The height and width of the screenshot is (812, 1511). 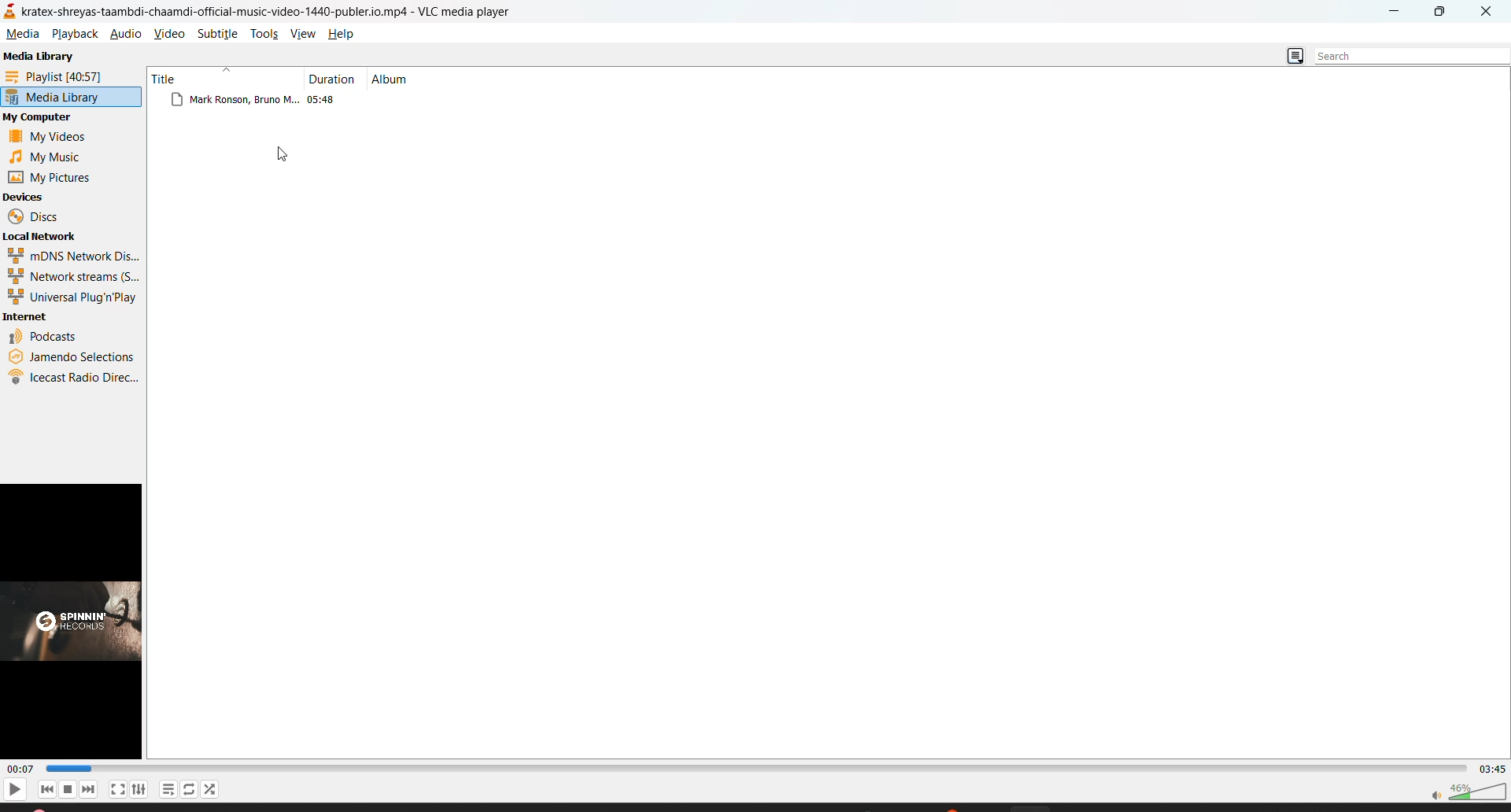 I want to click on minimize, so click(x=1398, y=14).